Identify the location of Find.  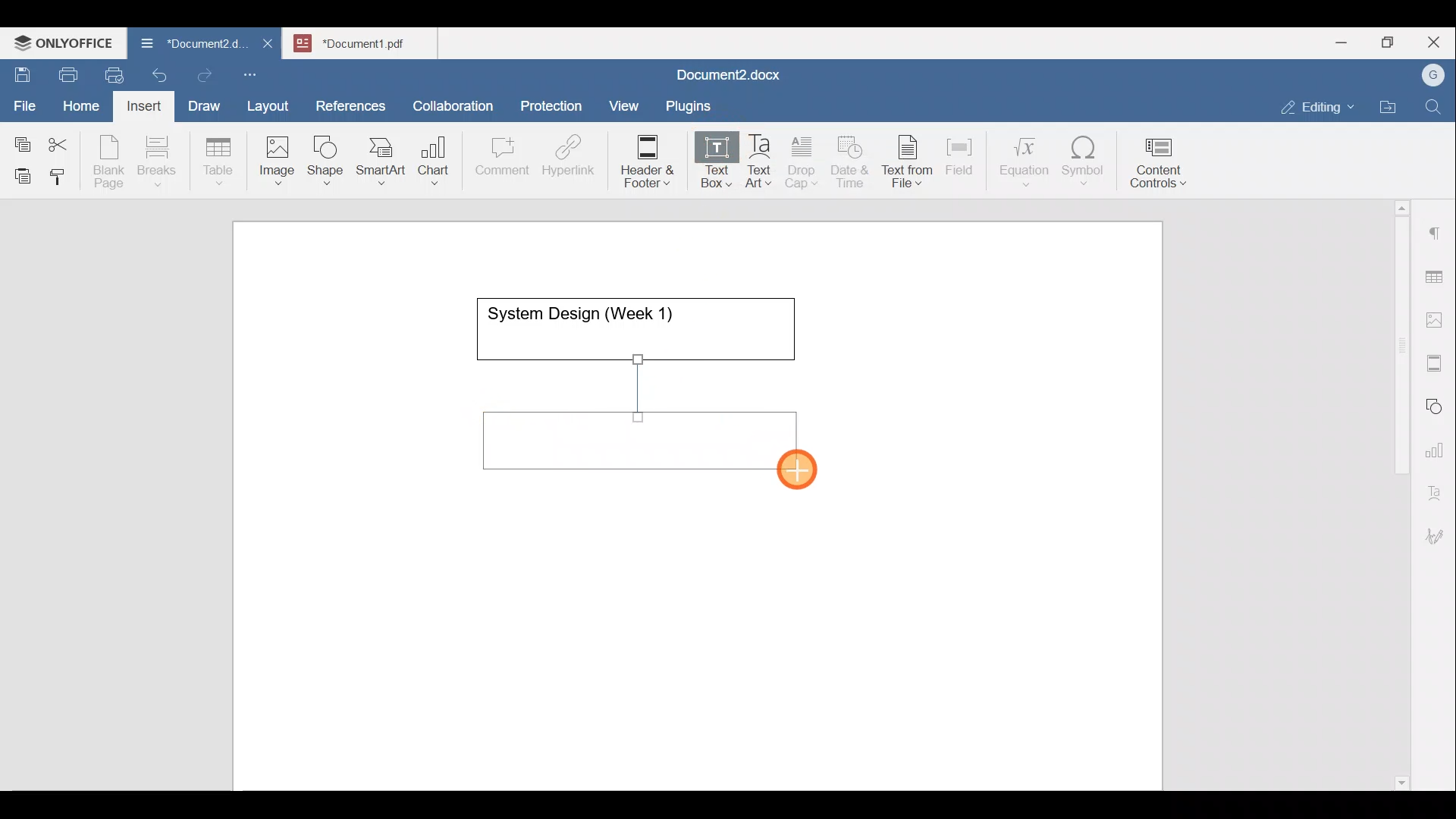
(1435, 108).